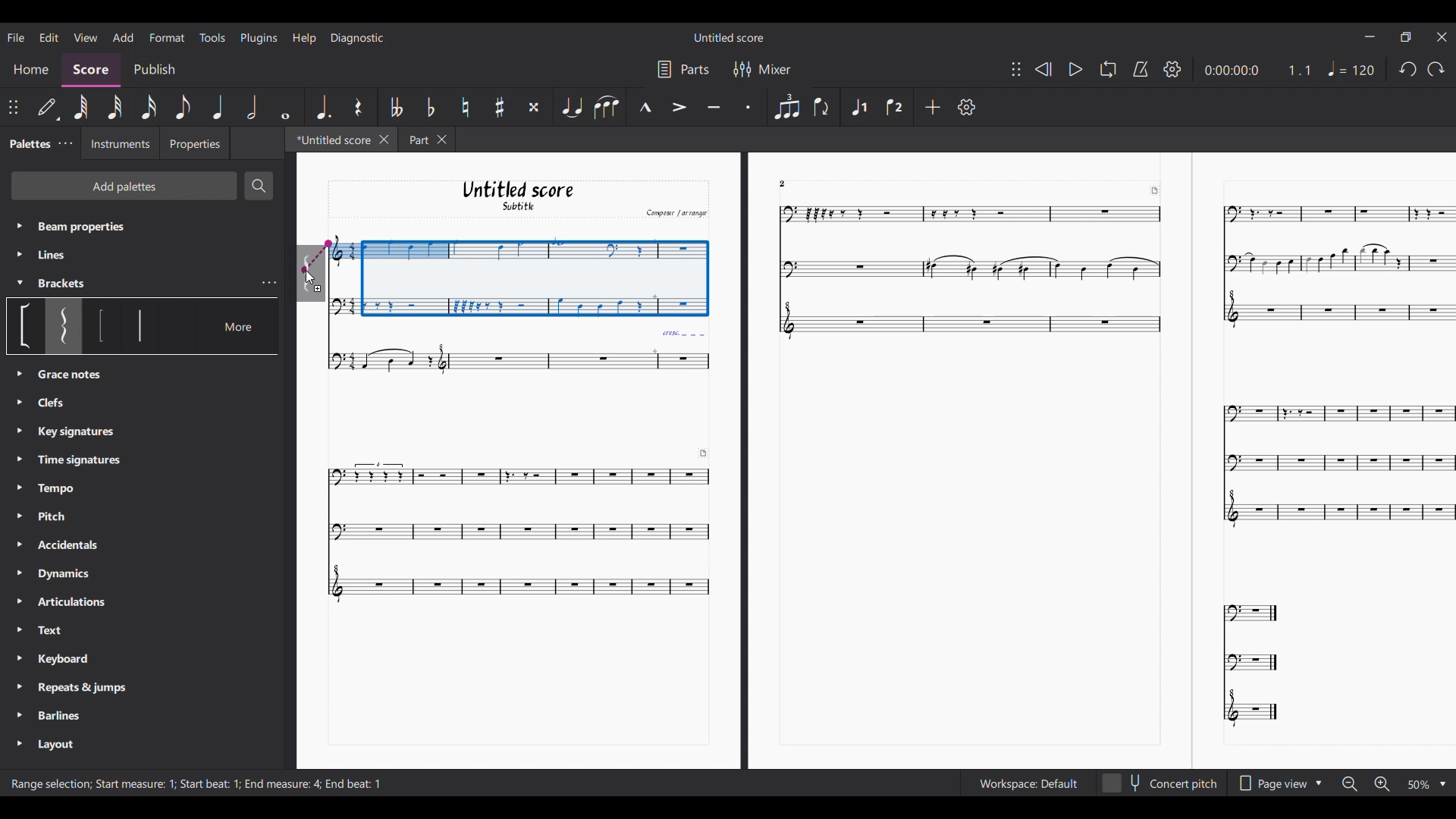 The height and width of the screenshot is (819, 1456). Describe the element at coordinates (1418, 785) in the screenshot. I see `Zoom options` at that location.